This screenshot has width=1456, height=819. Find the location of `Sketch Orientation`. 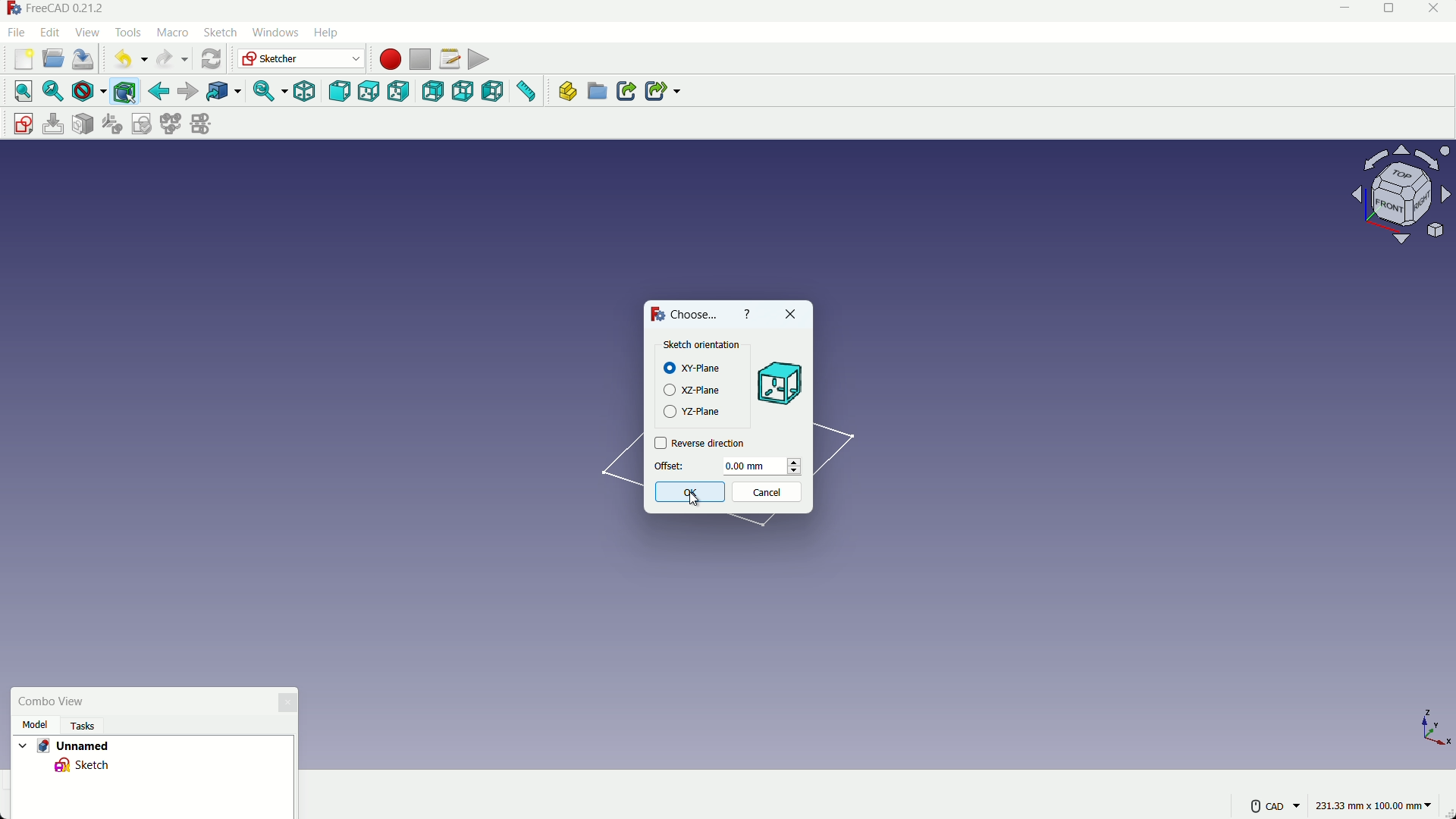

Sketch Orientation is located at coordinates (708, 345).